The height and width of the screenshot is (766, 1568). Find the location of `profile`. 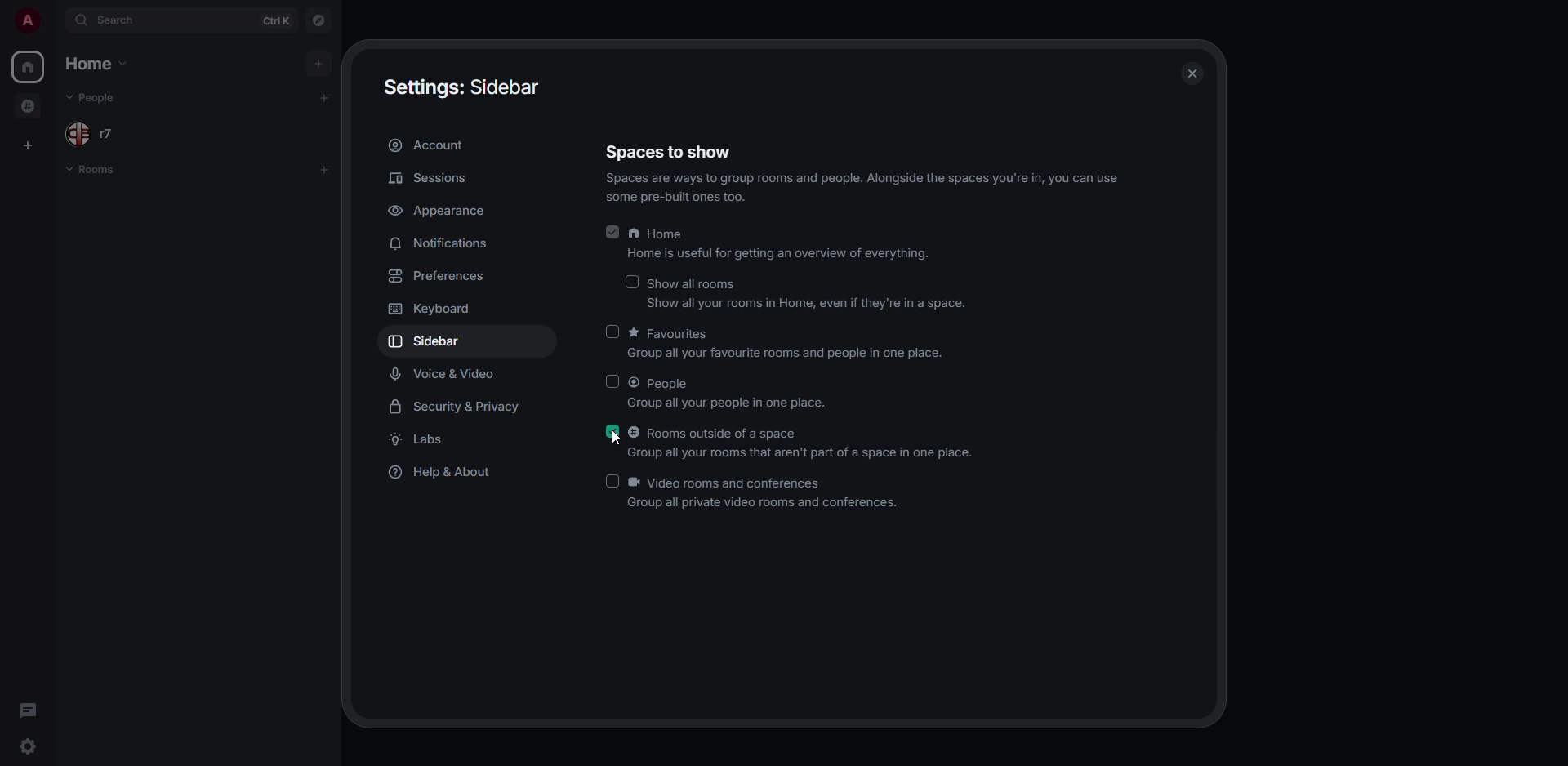

profile is located at coordinates (26, 20).